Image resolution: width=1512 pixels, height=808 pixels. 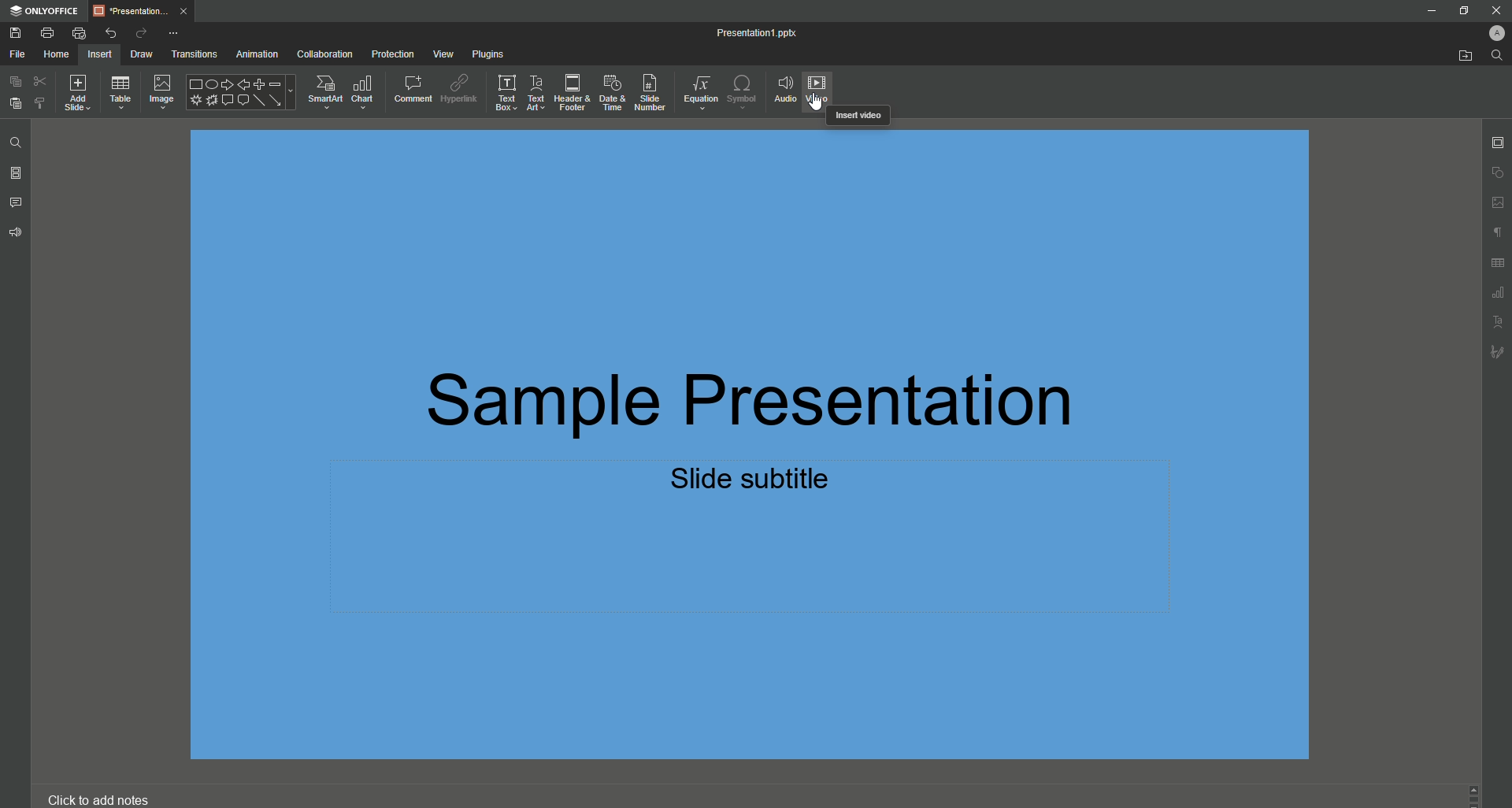 I want to click on Table, so click(x=122, y=93).